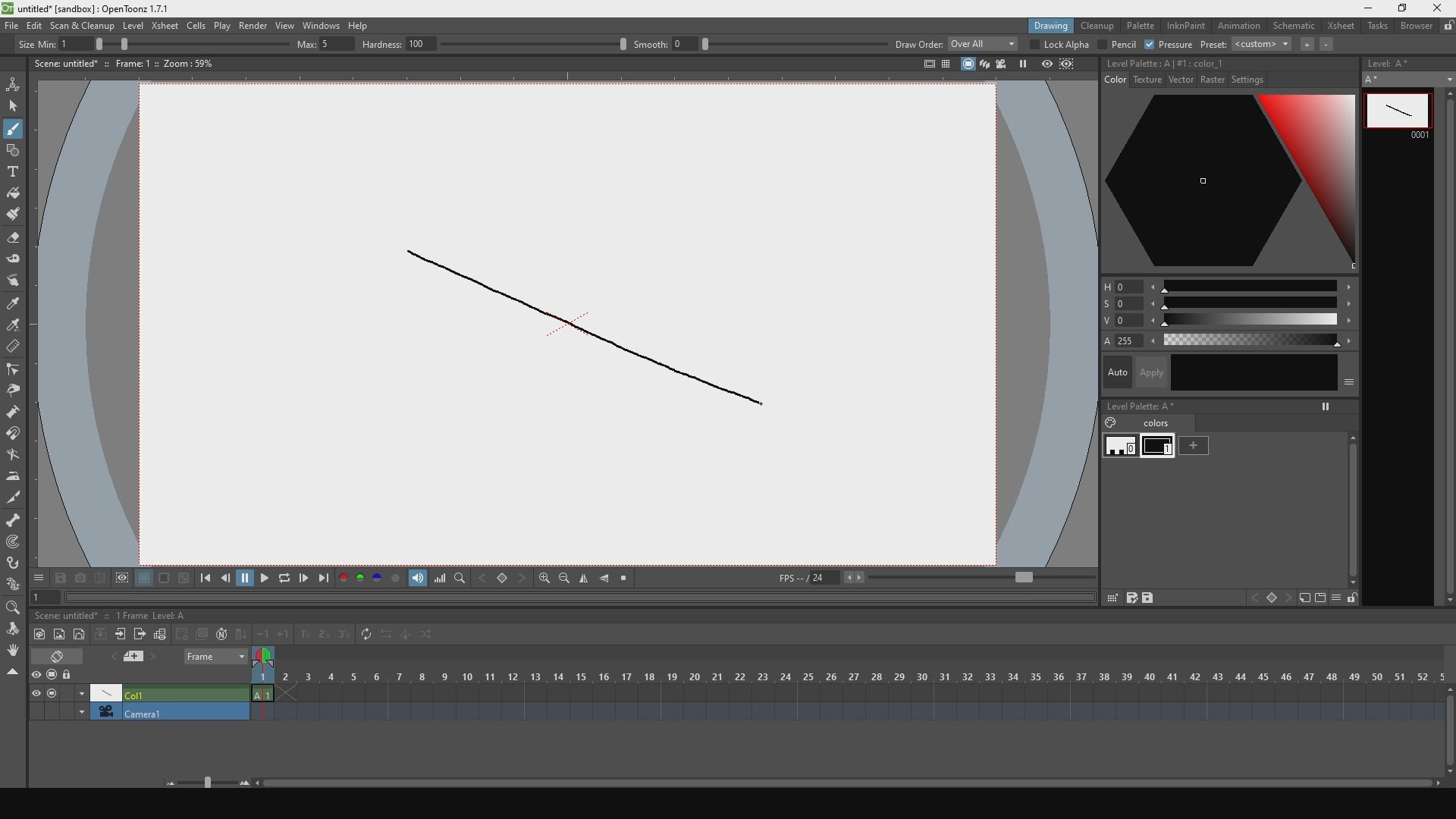 This screenshot has width=1456, height=819. What do you see at coordinates (17, 282) in the screenshot?
I see `move` at bounding box center [17, 282].